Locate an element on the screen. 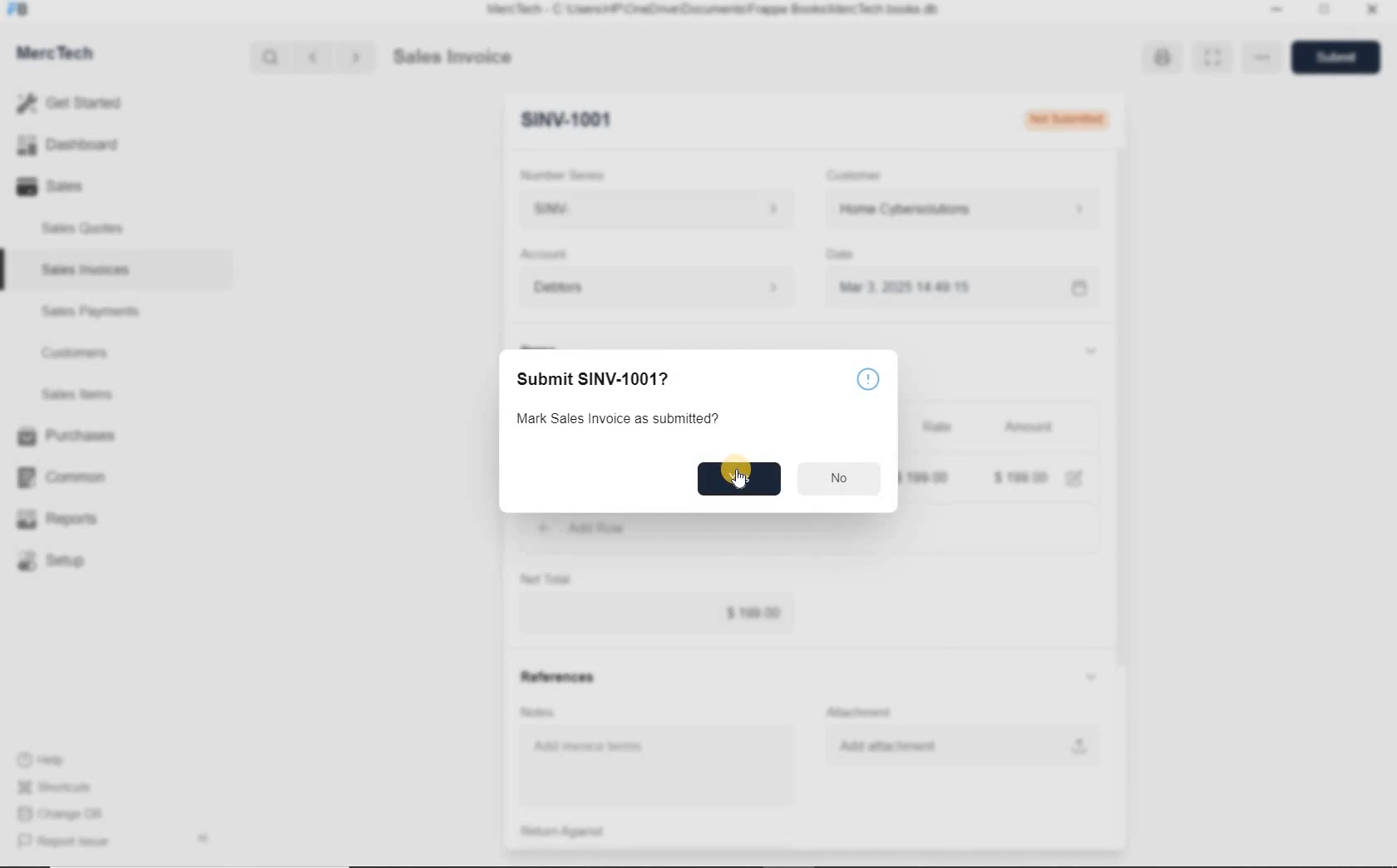  Shortcuts is located at coordinates (62, 788).